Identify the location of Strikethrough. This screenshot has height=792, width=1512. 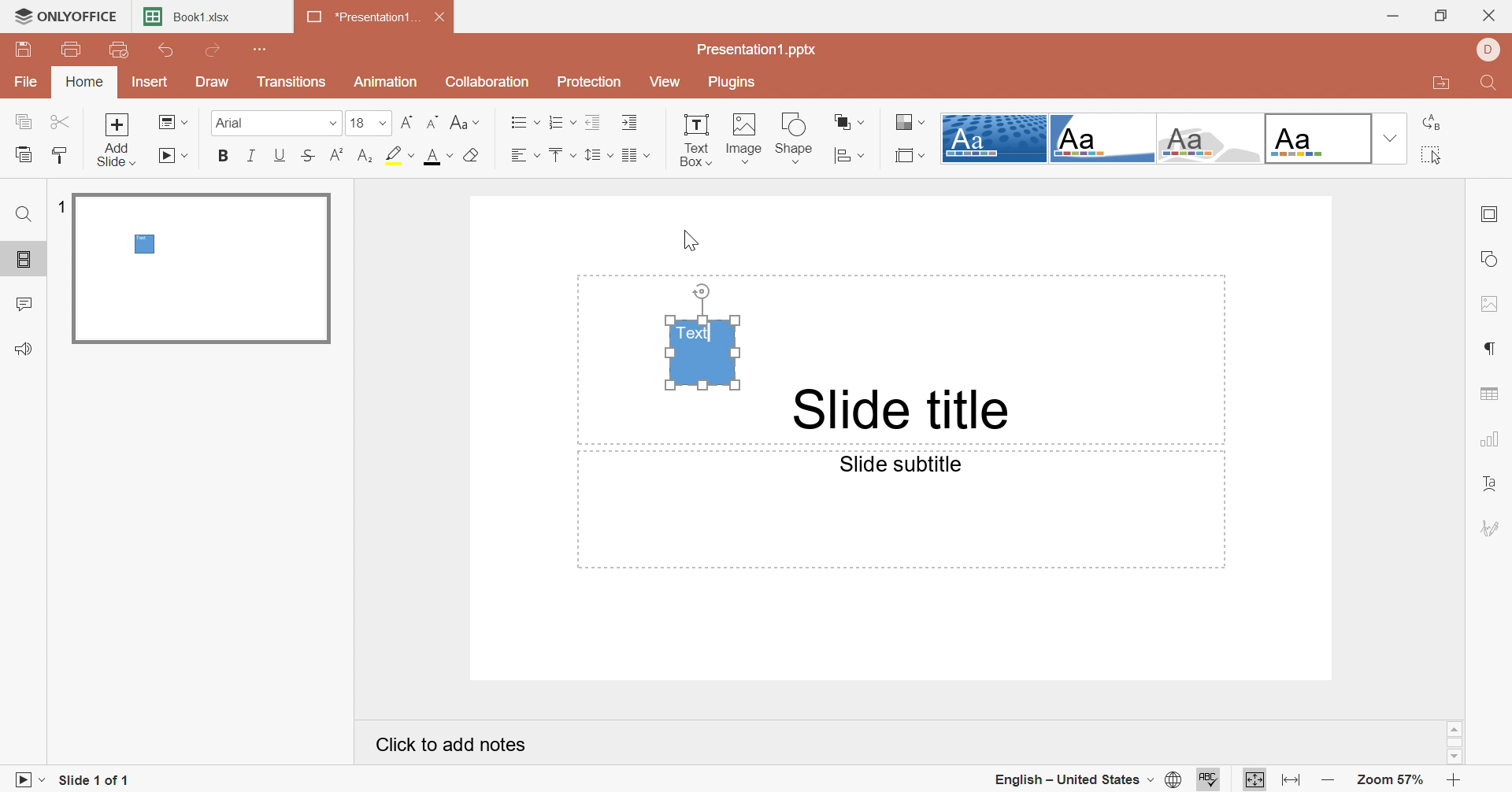
(309, 157).